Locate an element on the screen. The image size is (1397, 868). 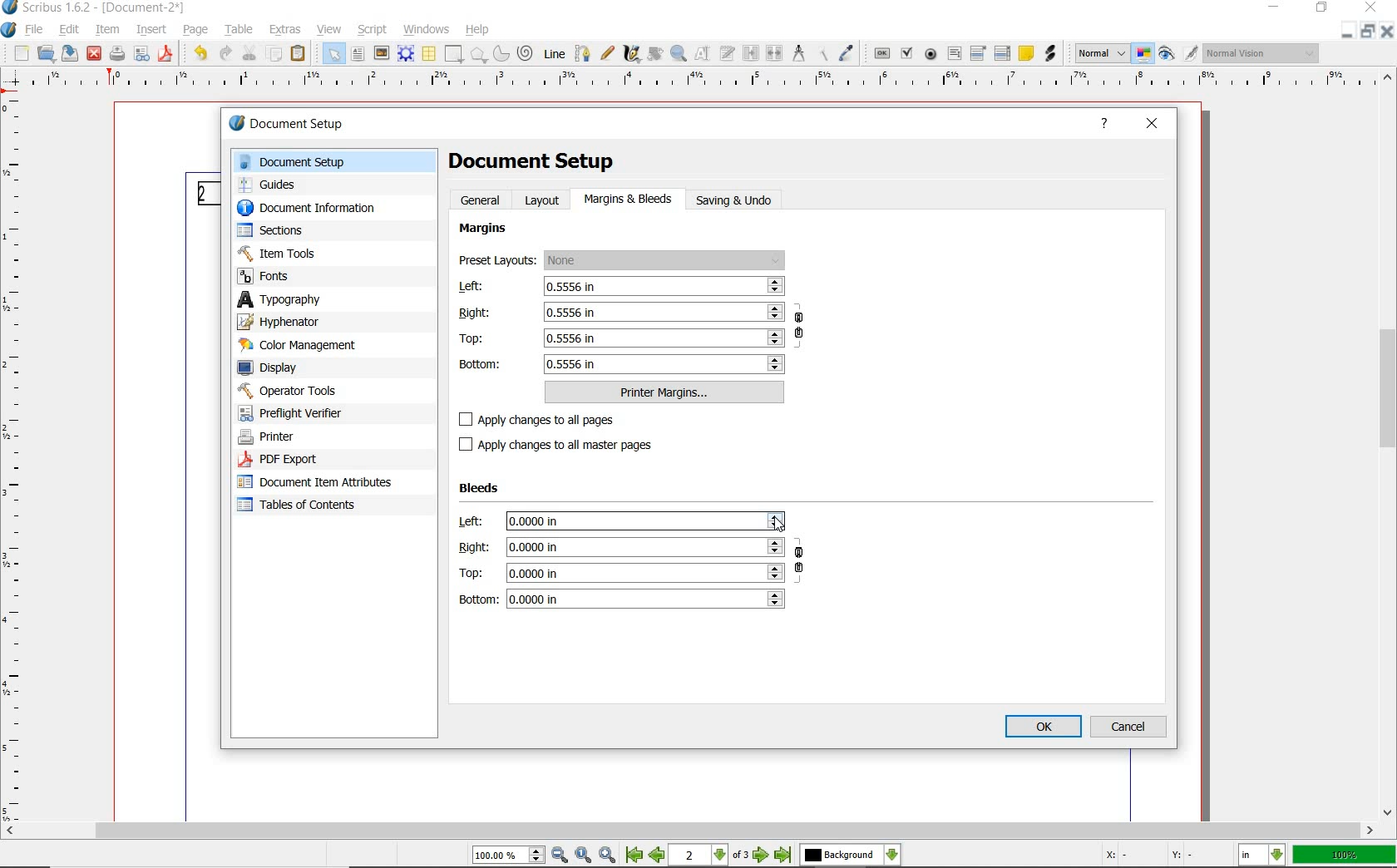
Tables of contents is located at coordinates (308, 506).